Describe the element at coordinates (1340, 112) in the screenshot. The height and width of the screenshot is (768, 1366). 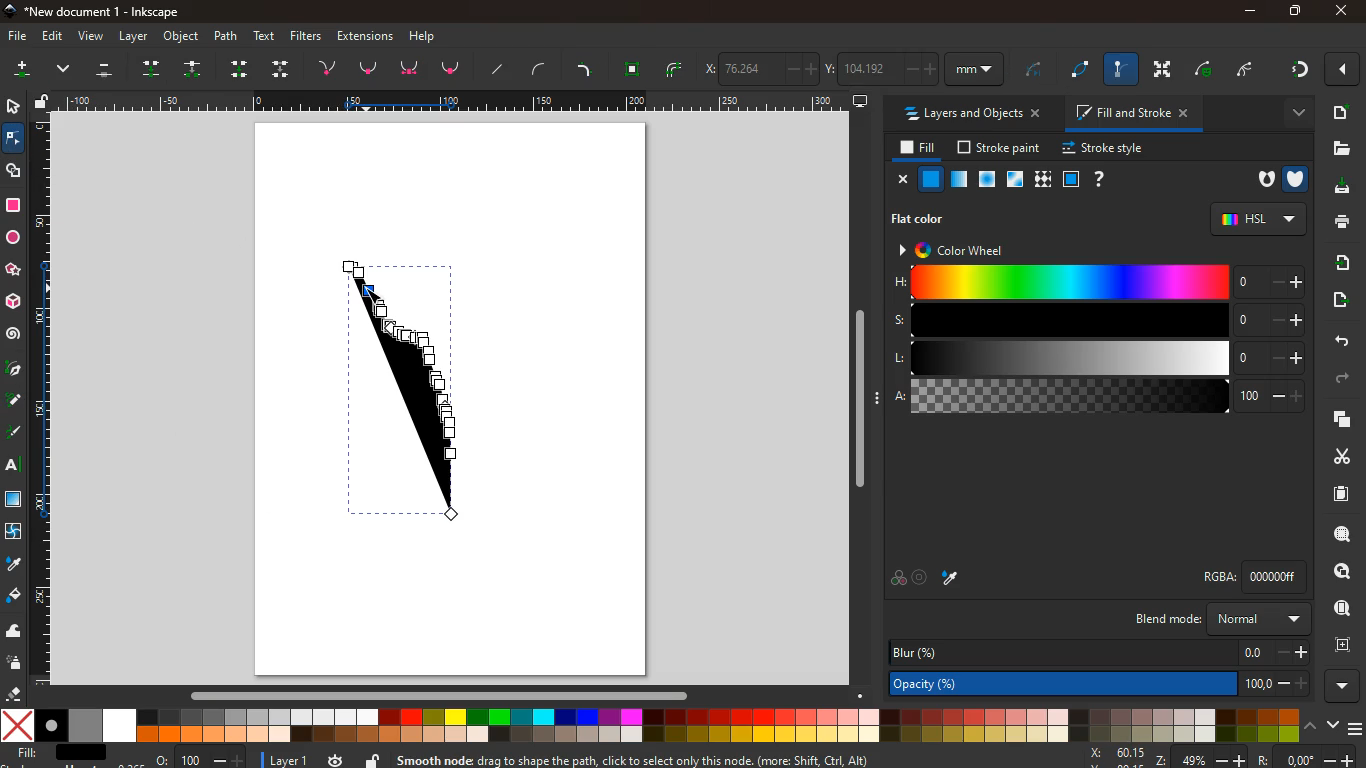
I see `add` at that location.